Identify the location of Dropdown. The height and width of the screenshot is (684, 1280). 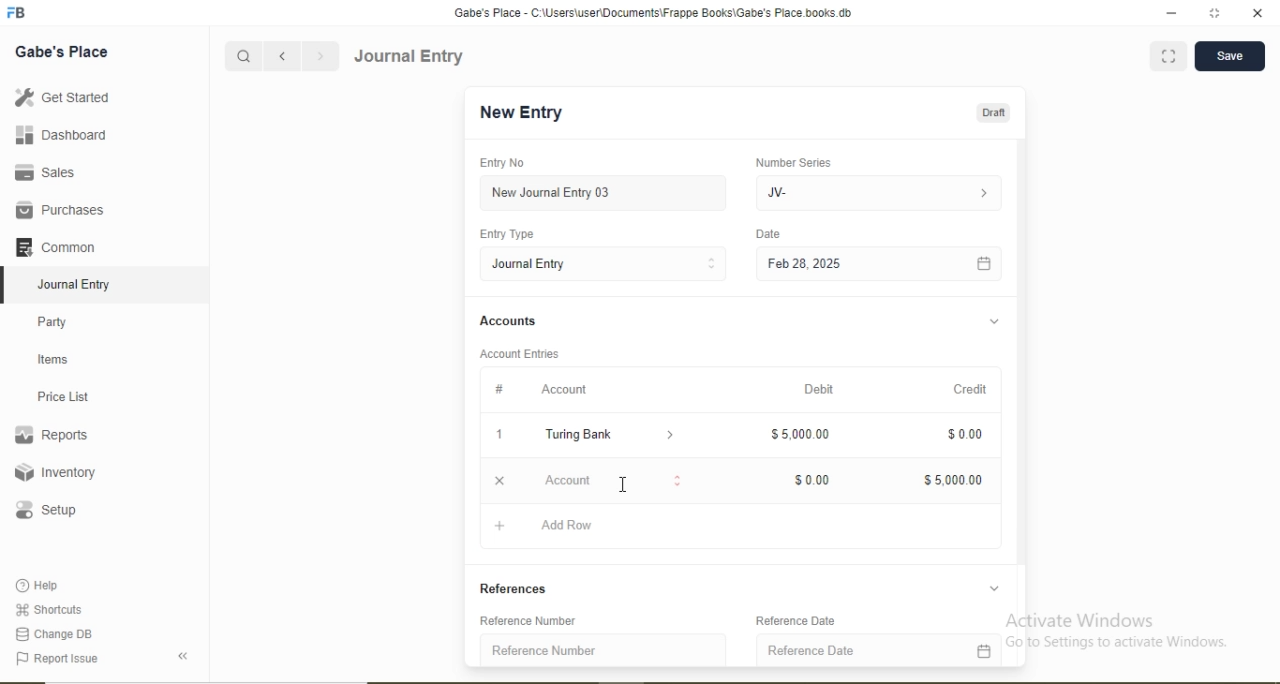
(672, 436).